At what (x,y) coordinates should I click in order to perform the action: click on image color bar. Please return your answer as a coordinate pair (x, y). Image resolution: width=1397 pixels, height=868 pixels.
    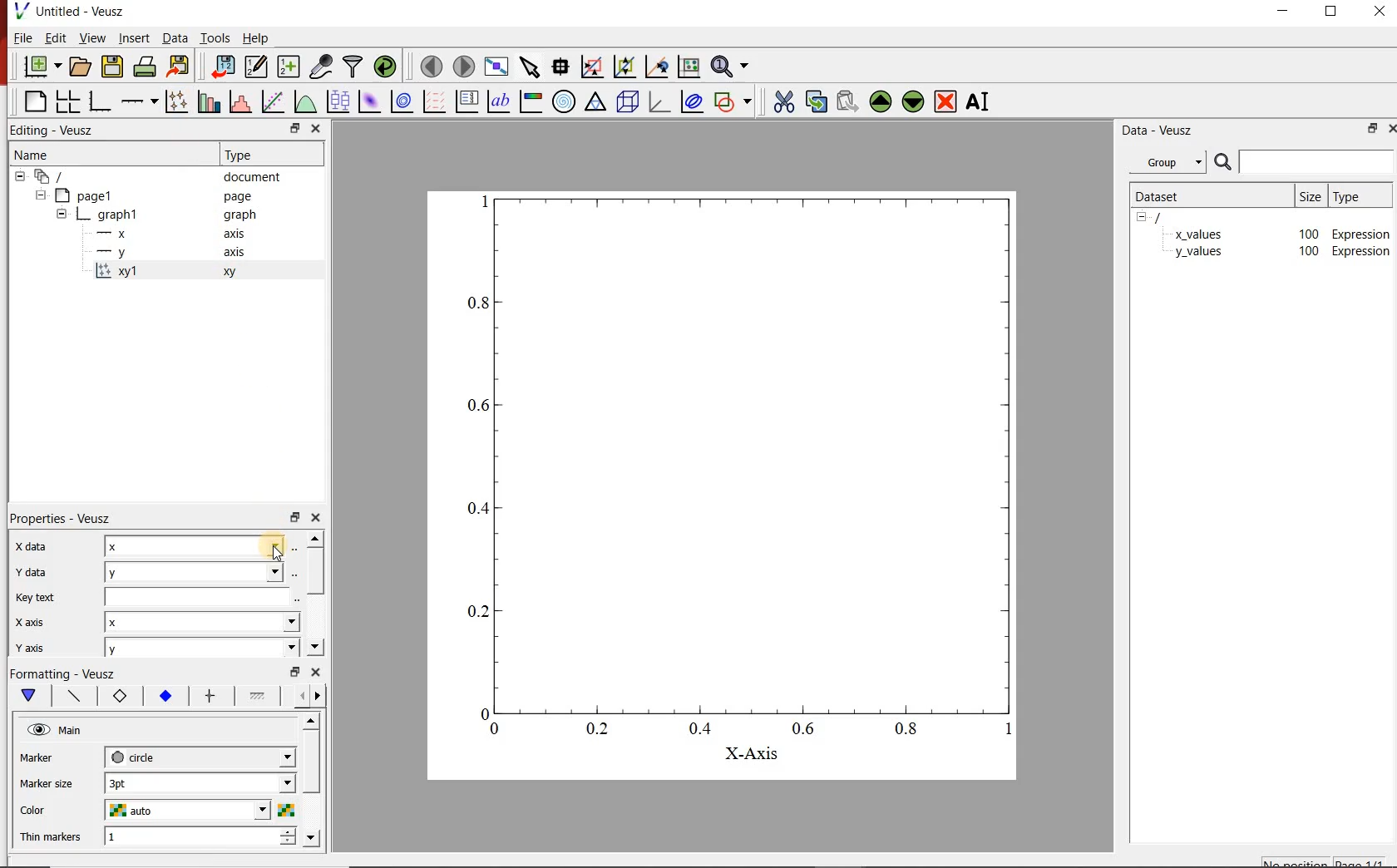
    Looking at the image, I should click on (531, 102).